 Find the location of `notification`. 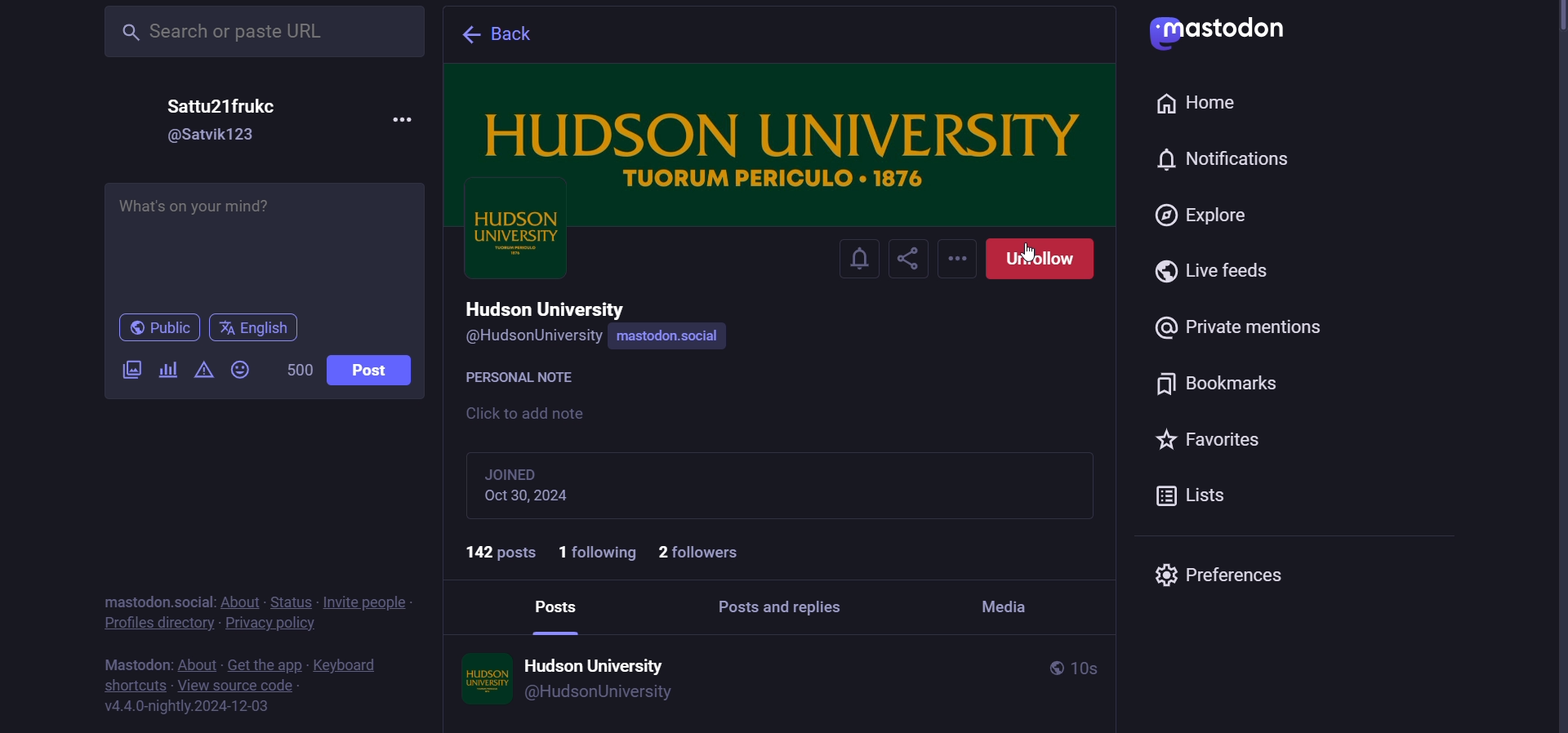

notification is located at coordinates (1218, 160).